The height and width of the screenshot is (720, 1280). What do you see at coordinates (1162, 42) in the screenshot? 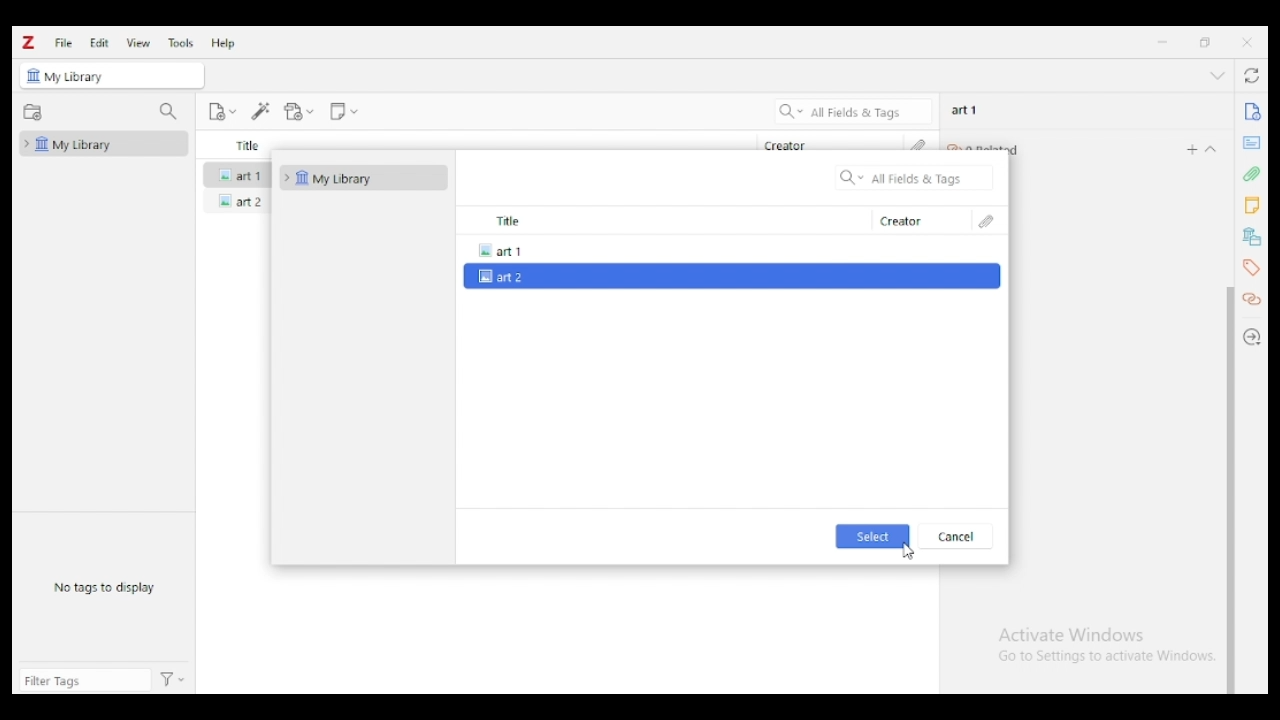
I see `minimize` at bounding box center [1162, 42].